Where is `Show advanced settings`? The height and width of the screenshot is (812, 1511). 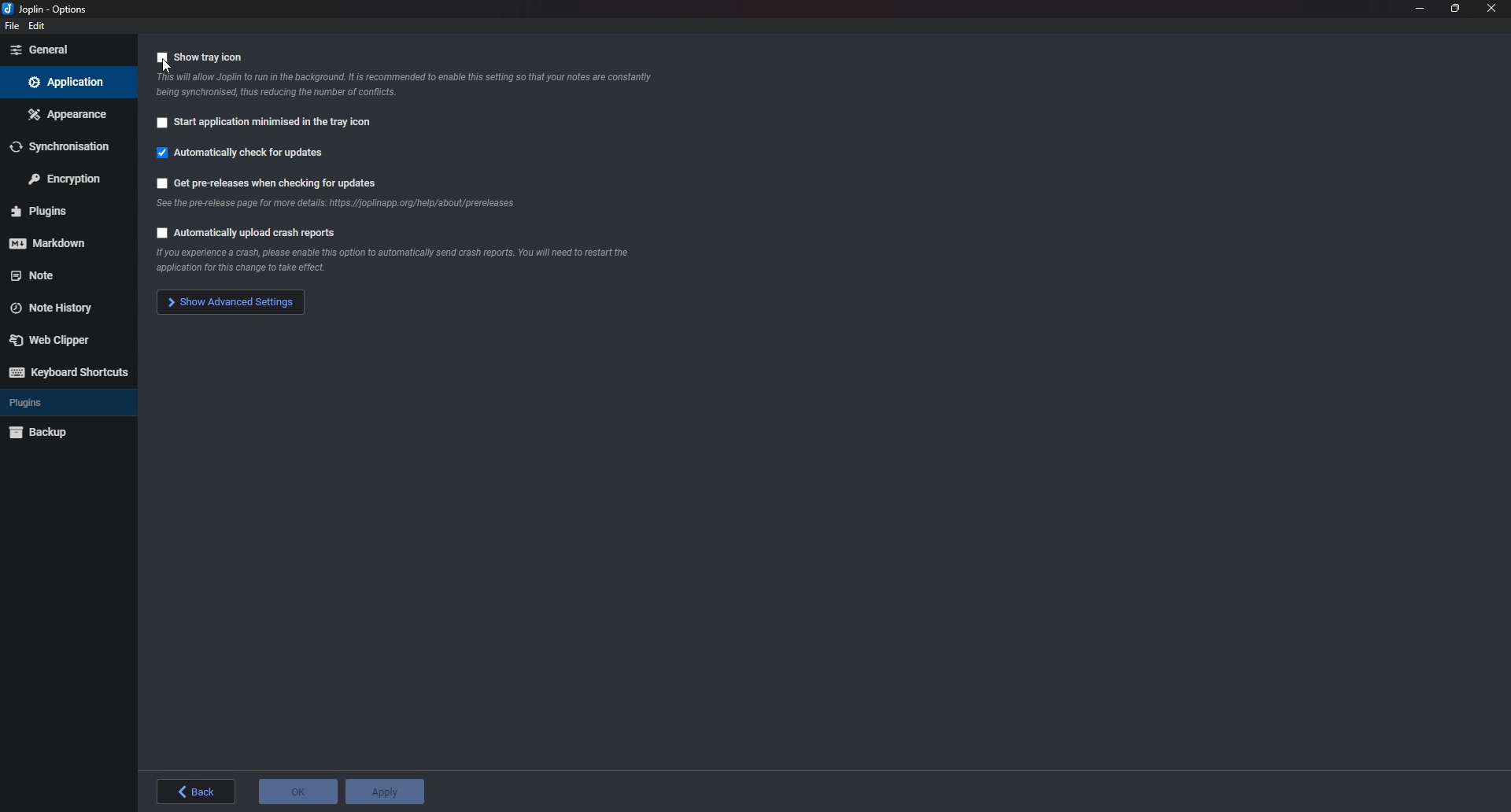 Show advanced settings is located at coordinates (228, 303).